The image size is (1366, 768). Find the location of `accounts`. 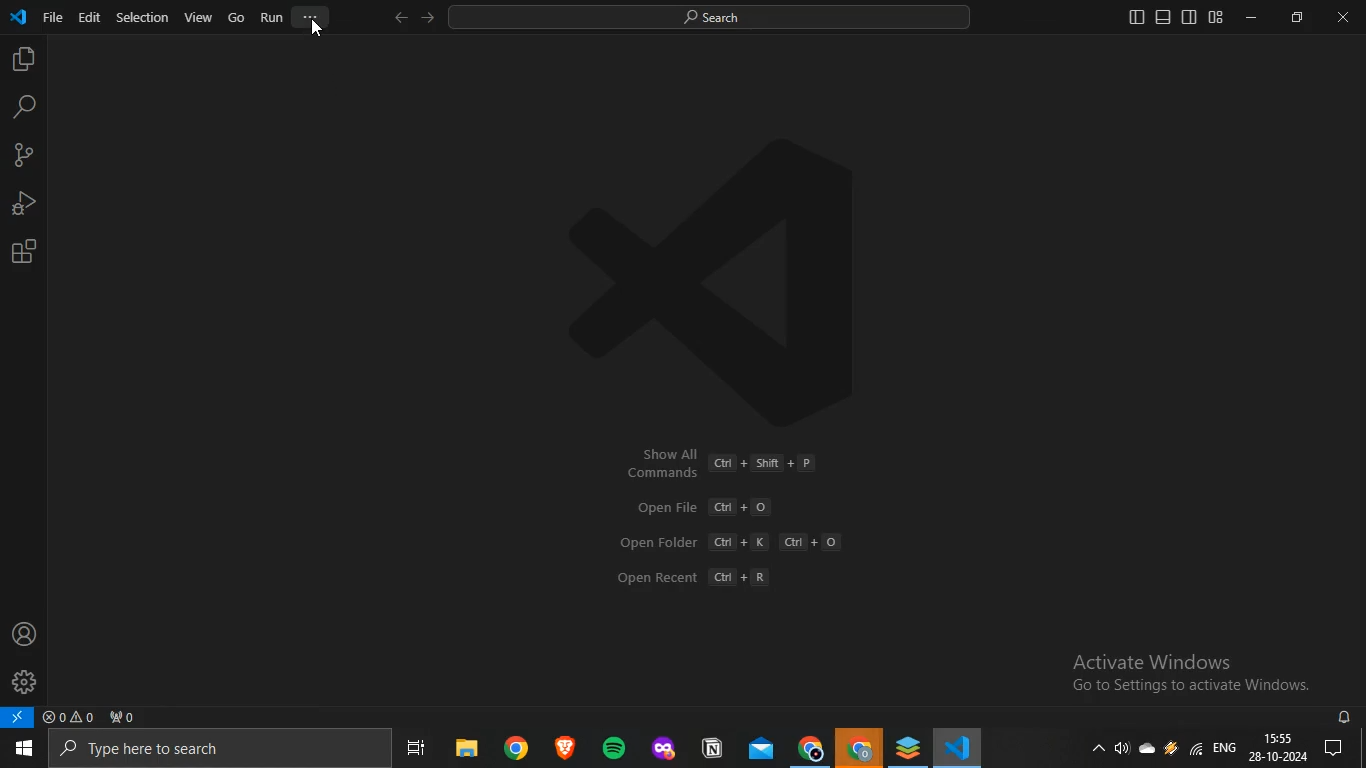

accounts is located at coordinates (23, 633).